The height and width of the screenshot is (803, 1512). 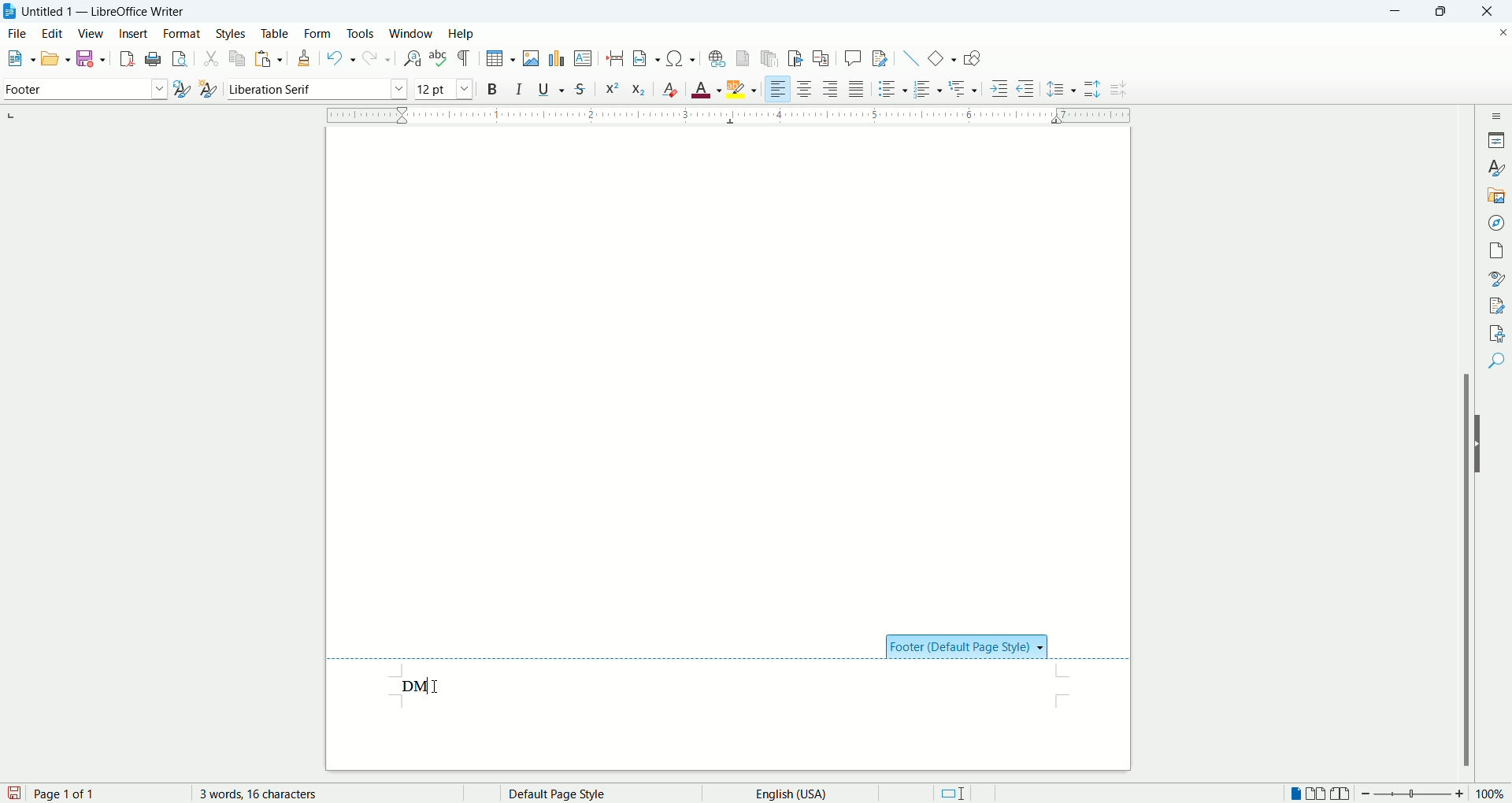 What do you see at coordinates (1341, 794) in the screenshot?
I see `book view` at bounding box center [1341, 794].